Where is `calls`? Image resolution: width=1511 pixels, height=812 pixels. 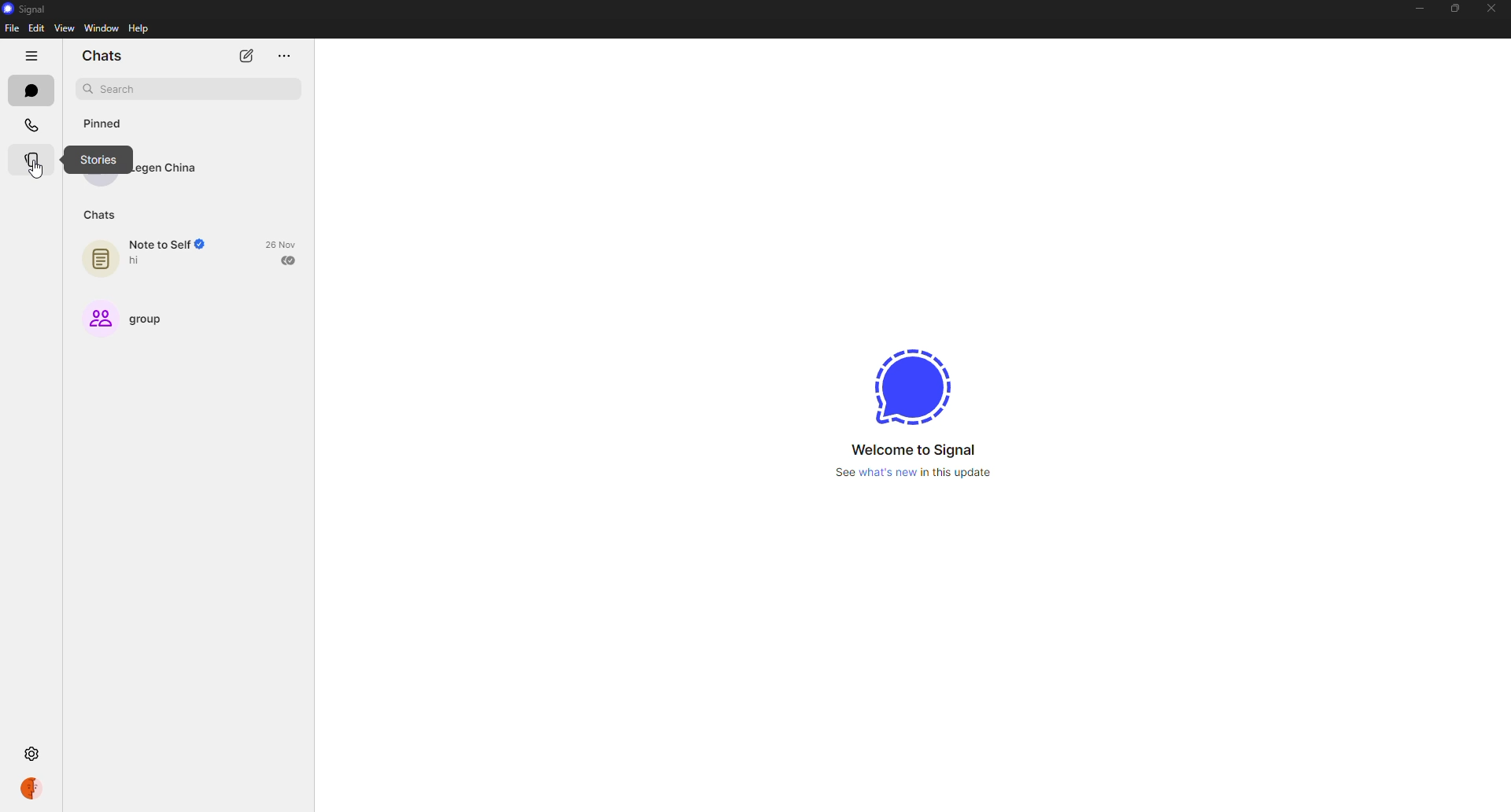 calls is located at coordinates (31, 124).